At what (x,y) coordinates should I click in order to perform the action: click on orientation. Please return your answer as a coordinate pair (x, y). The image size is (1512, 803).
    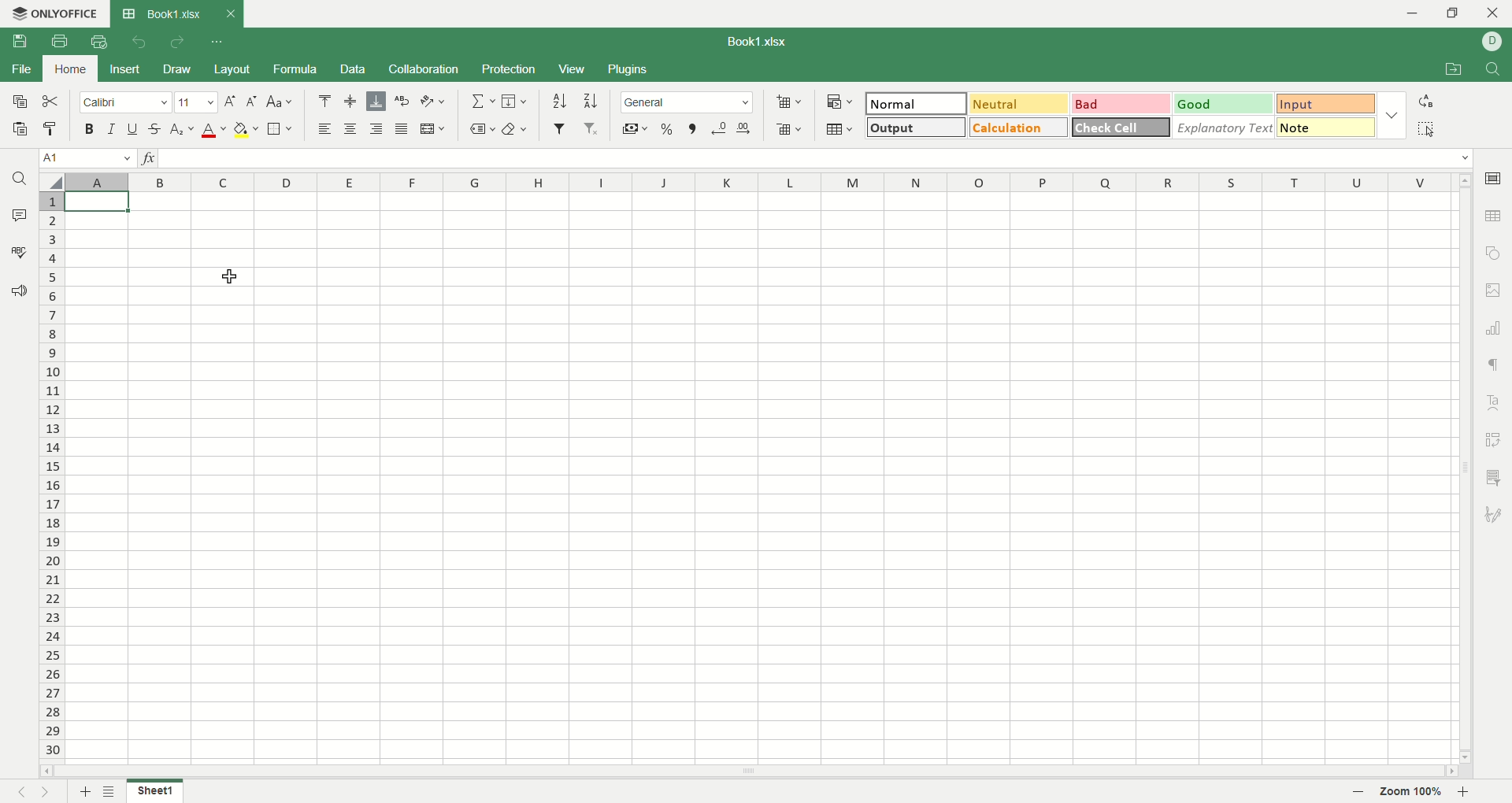
    Looking at the image, I should click on (433, 102).